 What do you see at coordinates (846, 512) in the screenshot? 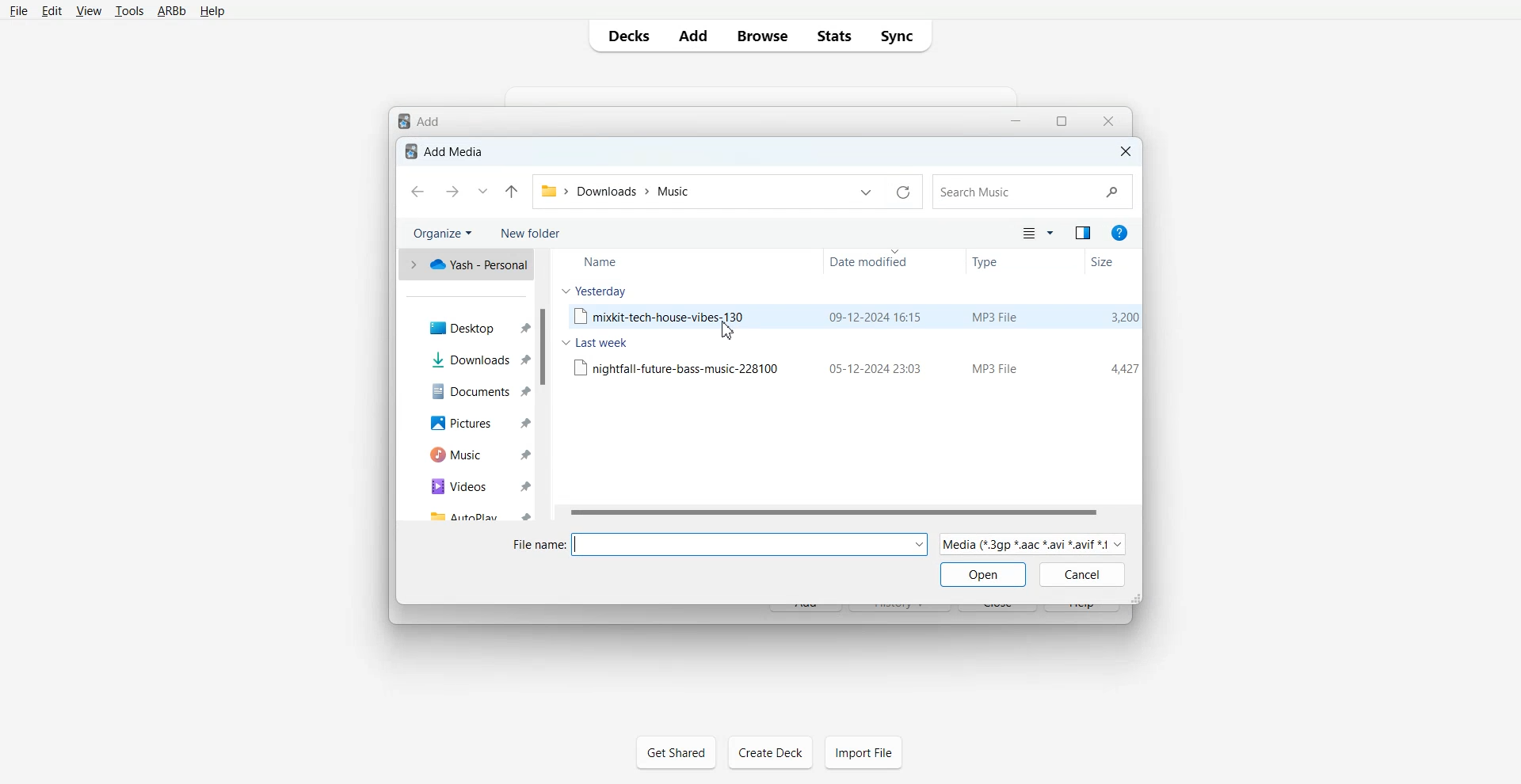
I see `Horizontal Scroll bar` at bounding box center [846, 512].